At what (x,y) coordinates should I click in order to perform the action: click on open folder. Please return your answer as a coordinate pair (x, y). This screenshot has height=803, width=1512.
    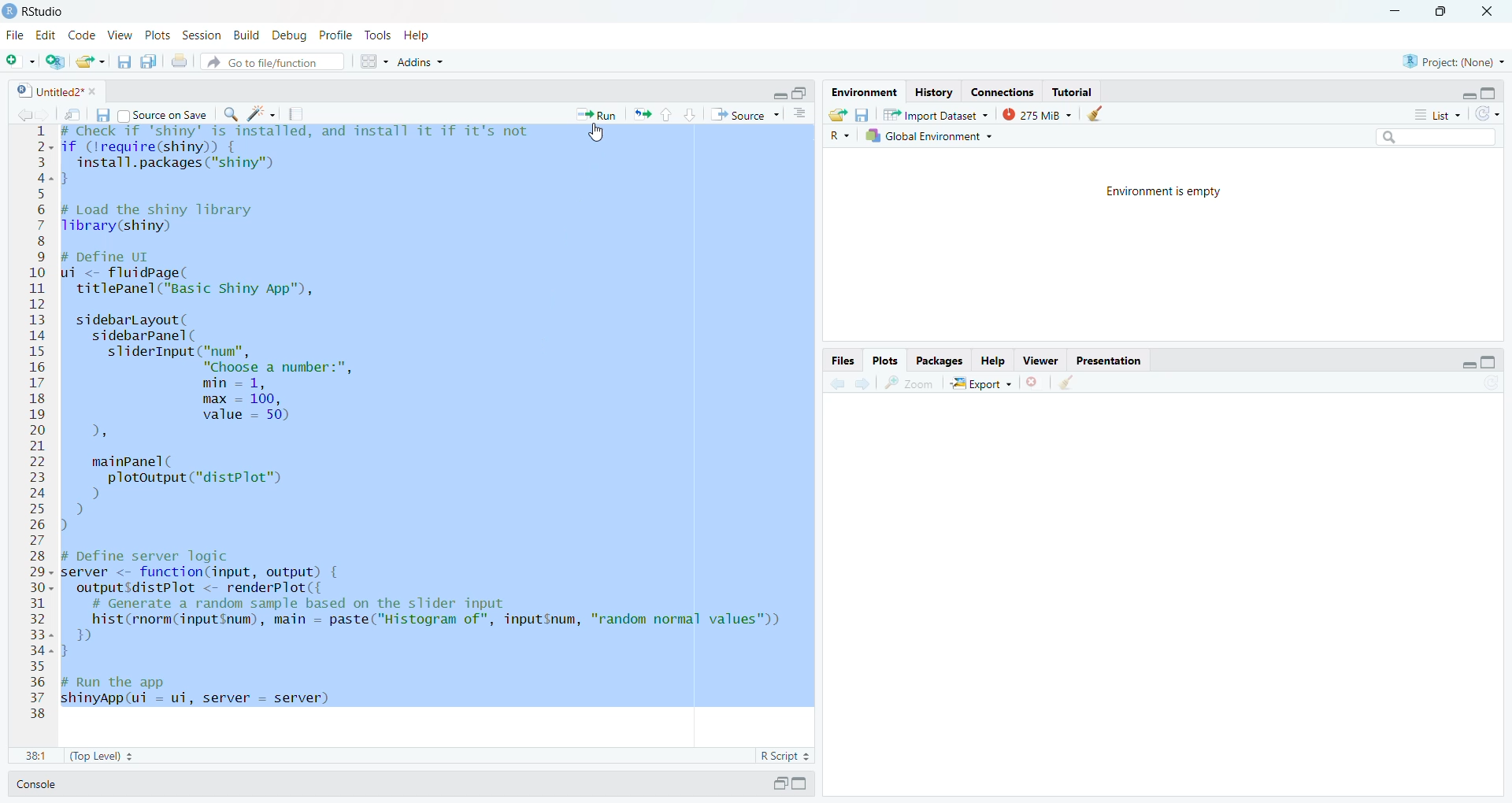
    Looking at the image, I should click on (837, 114).